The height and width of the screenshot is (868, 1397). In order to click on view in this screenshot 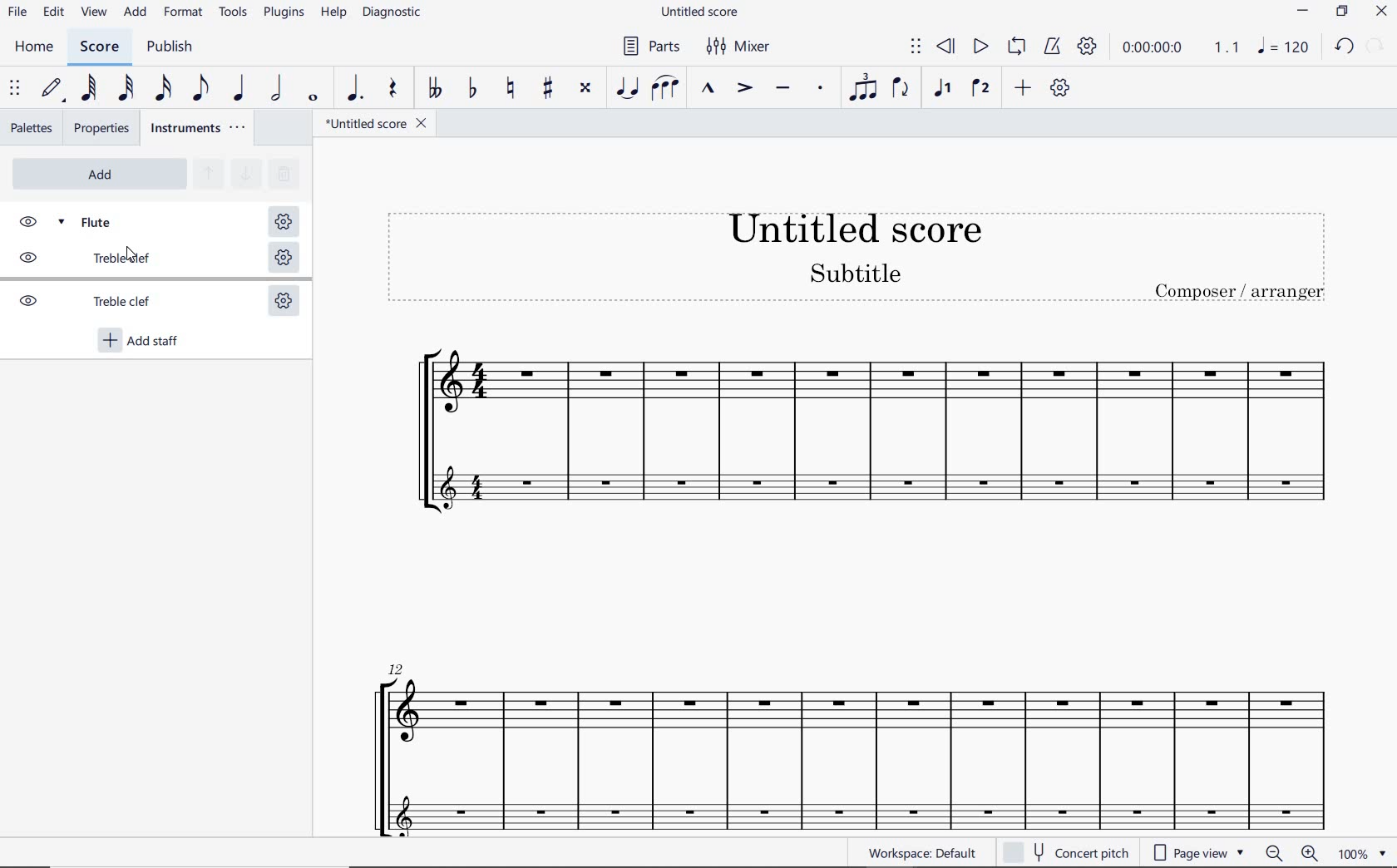, I will do `click(96, 13)`.